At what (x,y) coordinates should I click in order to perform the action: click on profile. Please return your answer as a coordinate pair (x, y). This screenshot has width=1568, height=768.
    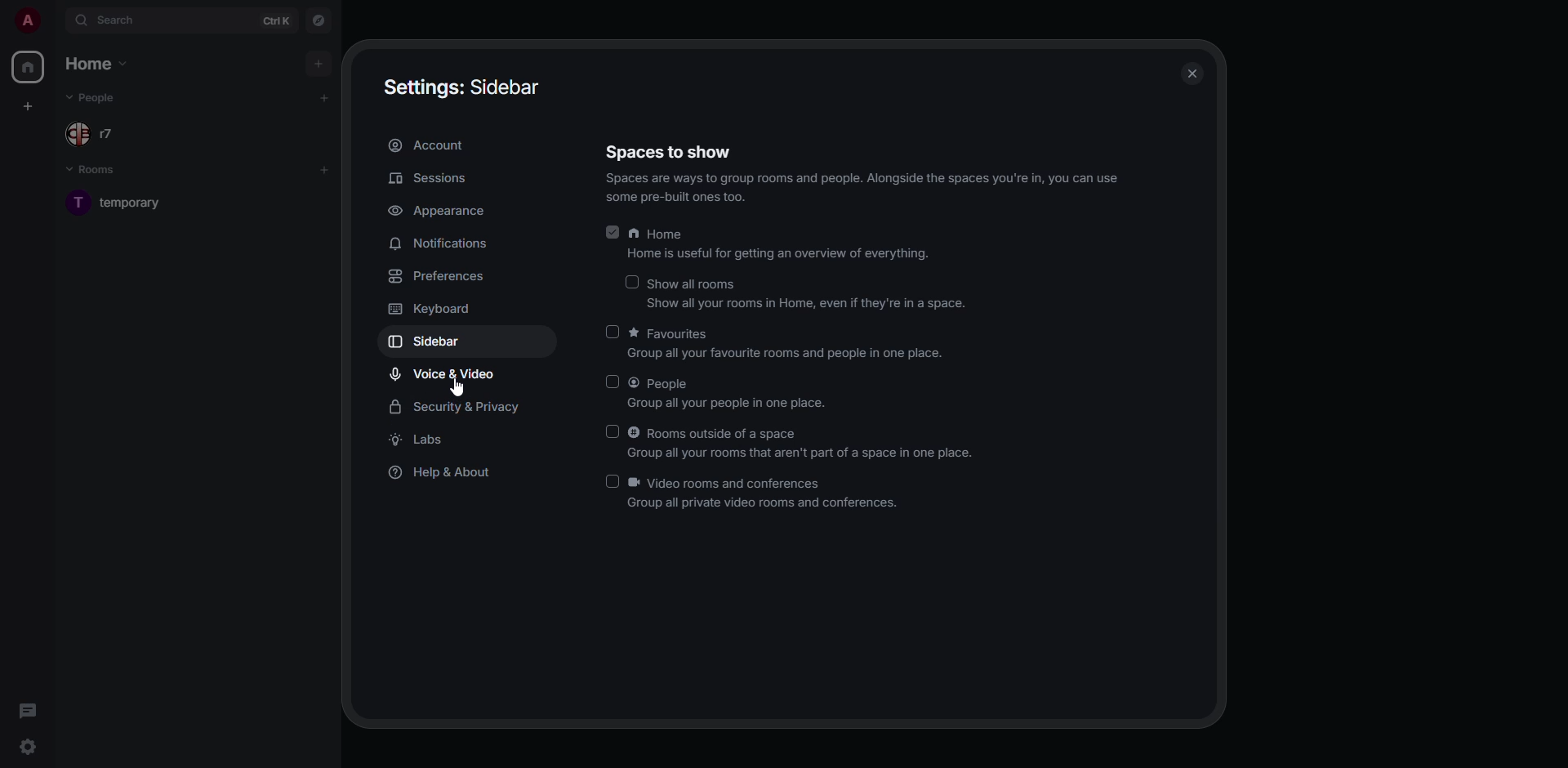
    Looking at the image, I should click on (28, 21).